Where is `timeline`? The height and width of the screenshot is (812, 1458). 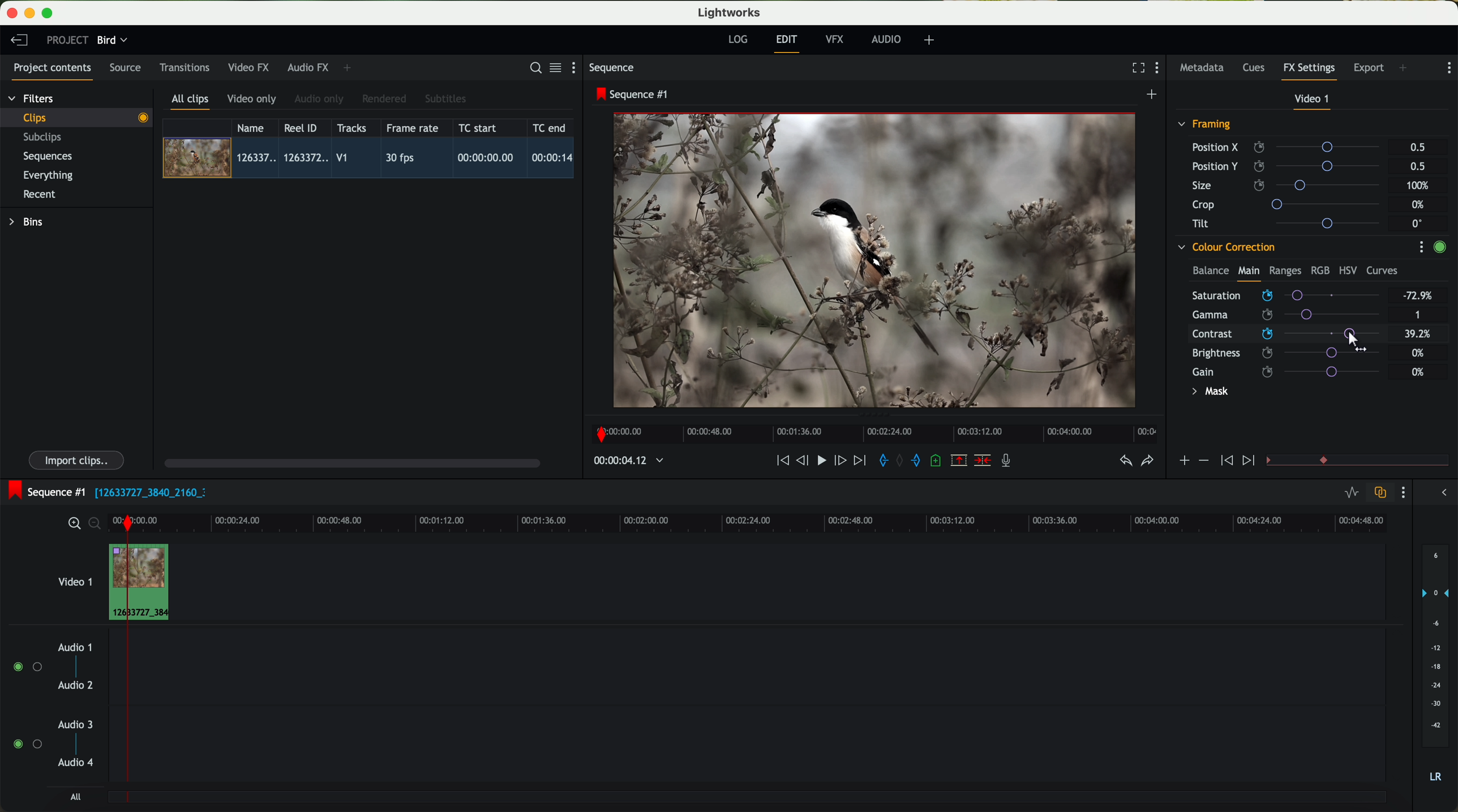 timeline is located at coordinates (623, 461).